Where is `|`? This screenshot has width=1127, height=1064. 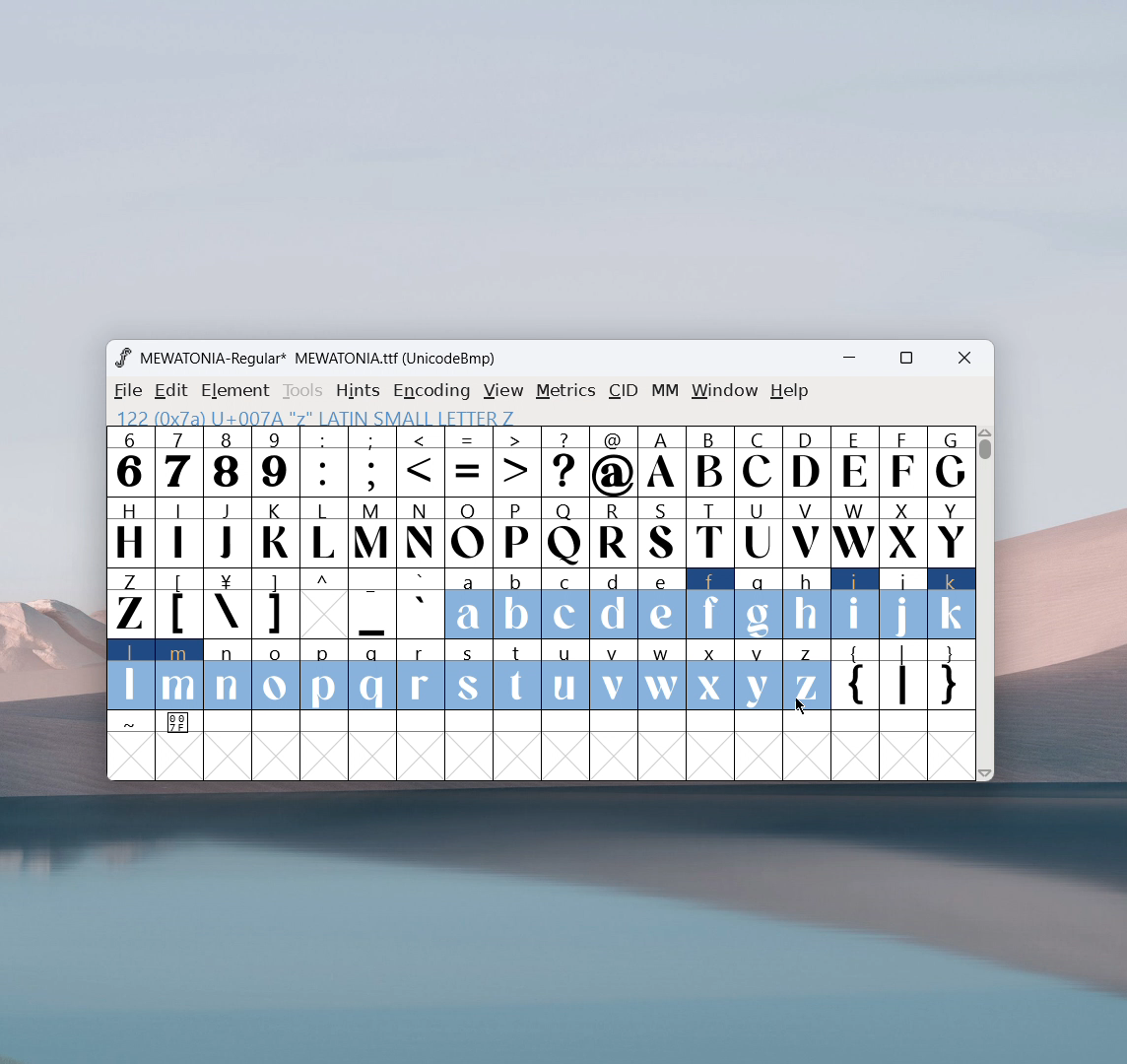
| is located at coordinates (903, 677).